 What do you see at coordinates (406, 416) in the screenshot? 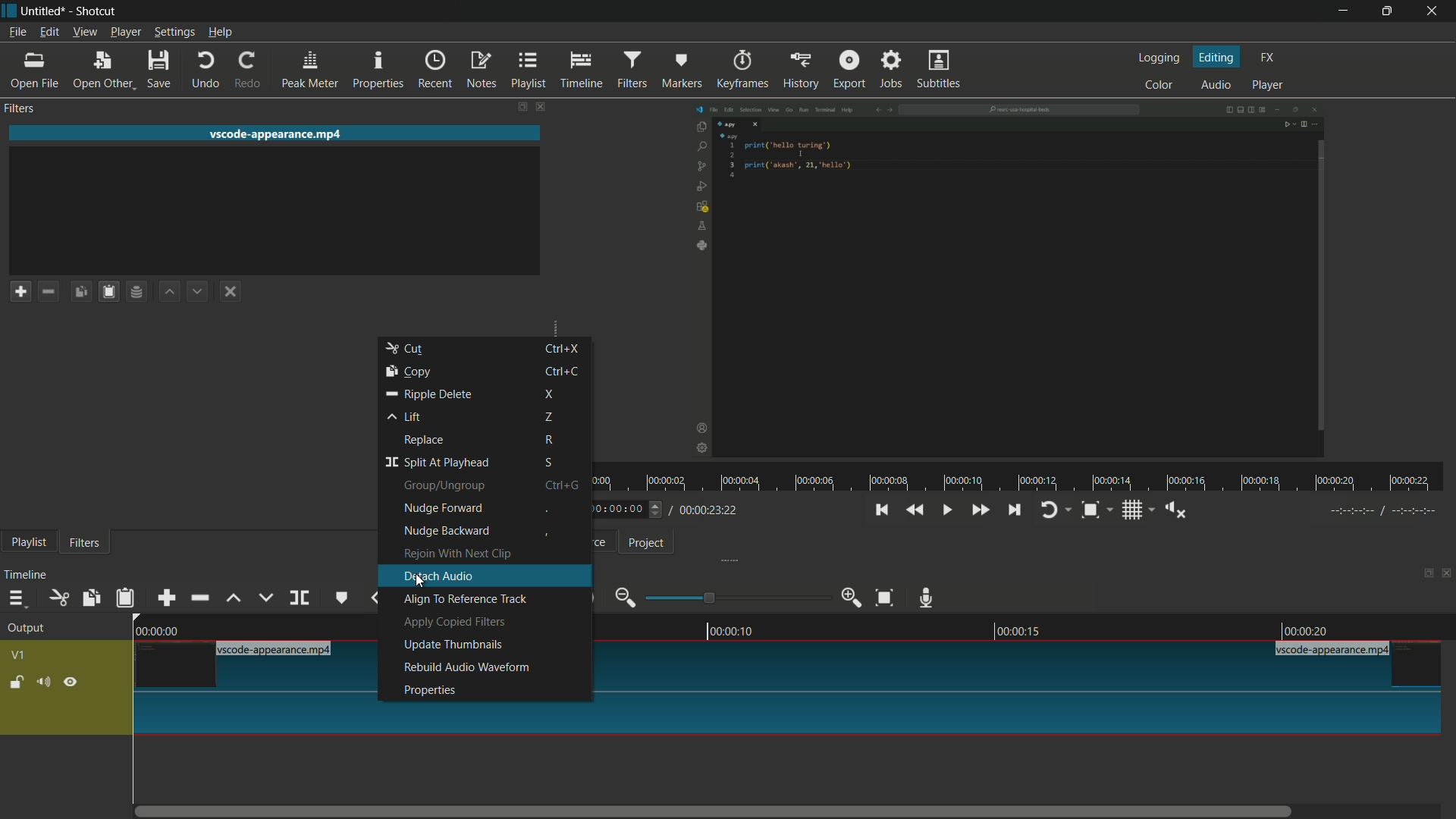
I see `lift` at bounding box center [406, 416].